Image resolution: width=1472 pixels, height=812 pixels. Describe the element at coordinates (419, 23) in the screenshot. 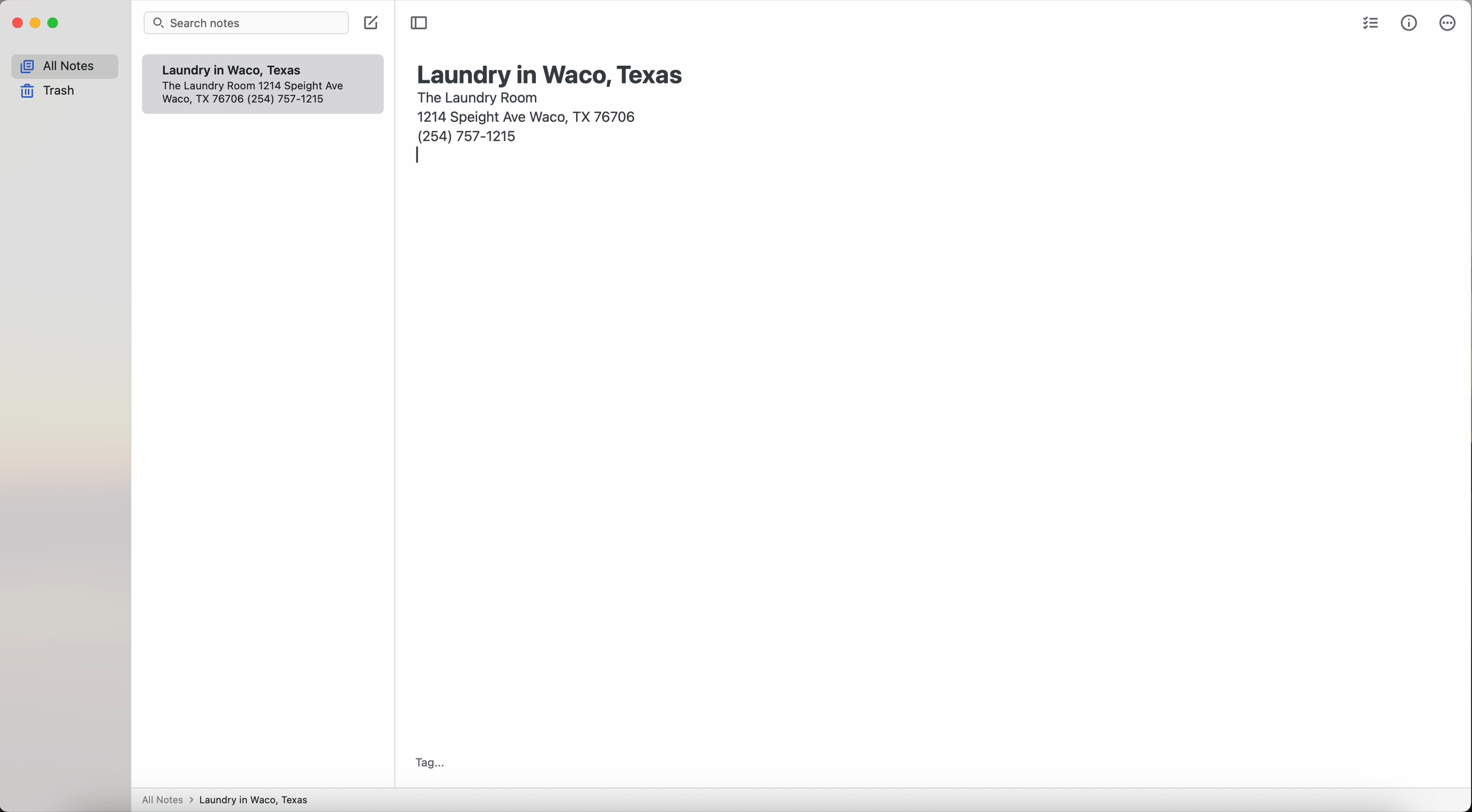

I see `toggle sidebar` at that location.